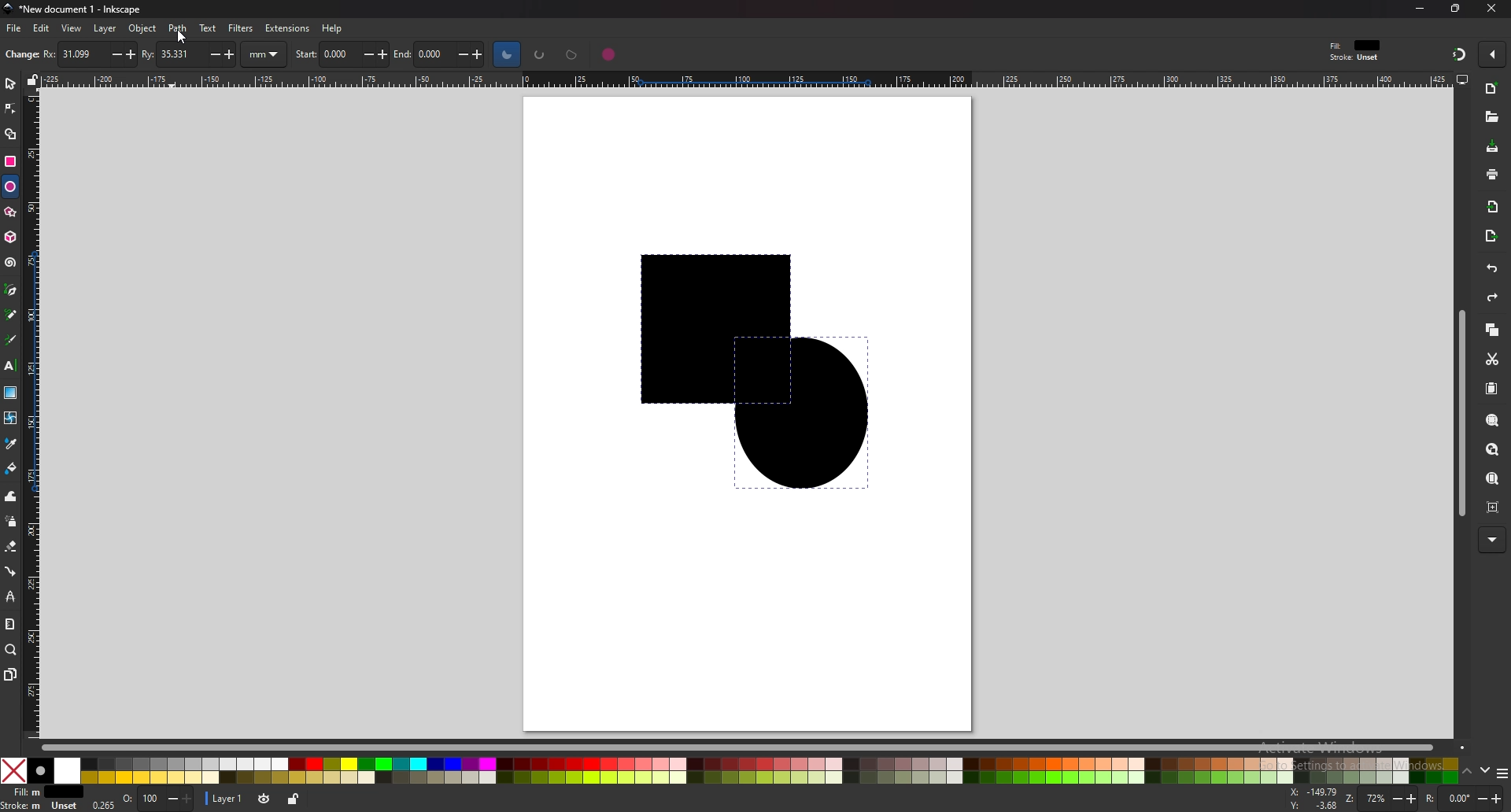 The image size is (1511, 812). What do you see at coordinates (20, 56) in the screenshot?
I see `new` at bounding box center [20, 56].